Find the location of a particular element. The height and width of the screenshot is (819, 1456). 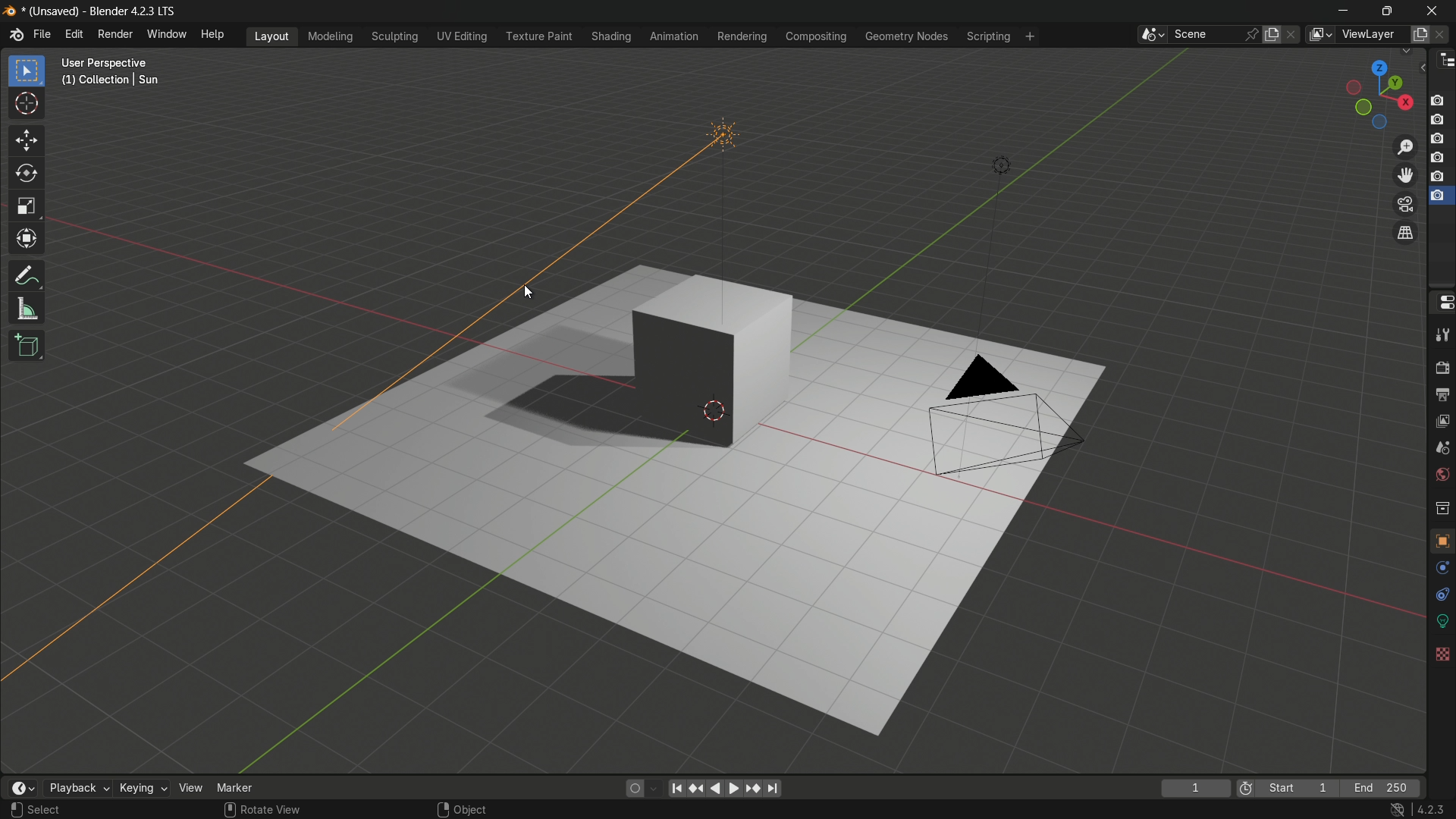

select box is located at coordinates (27, 71).